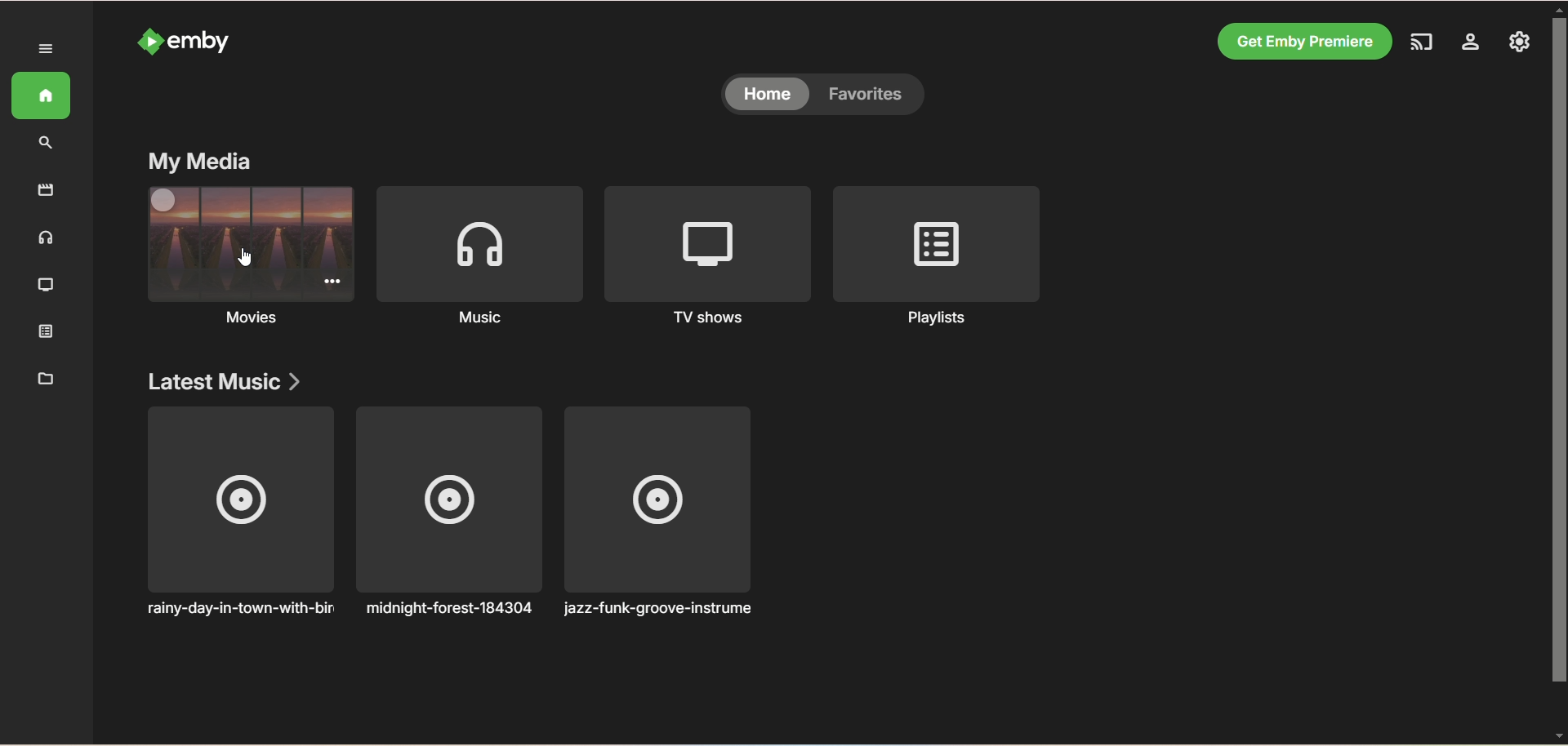  Describe the element at coordinates (212, 40) in the screenshot. I see `emby` at that location.